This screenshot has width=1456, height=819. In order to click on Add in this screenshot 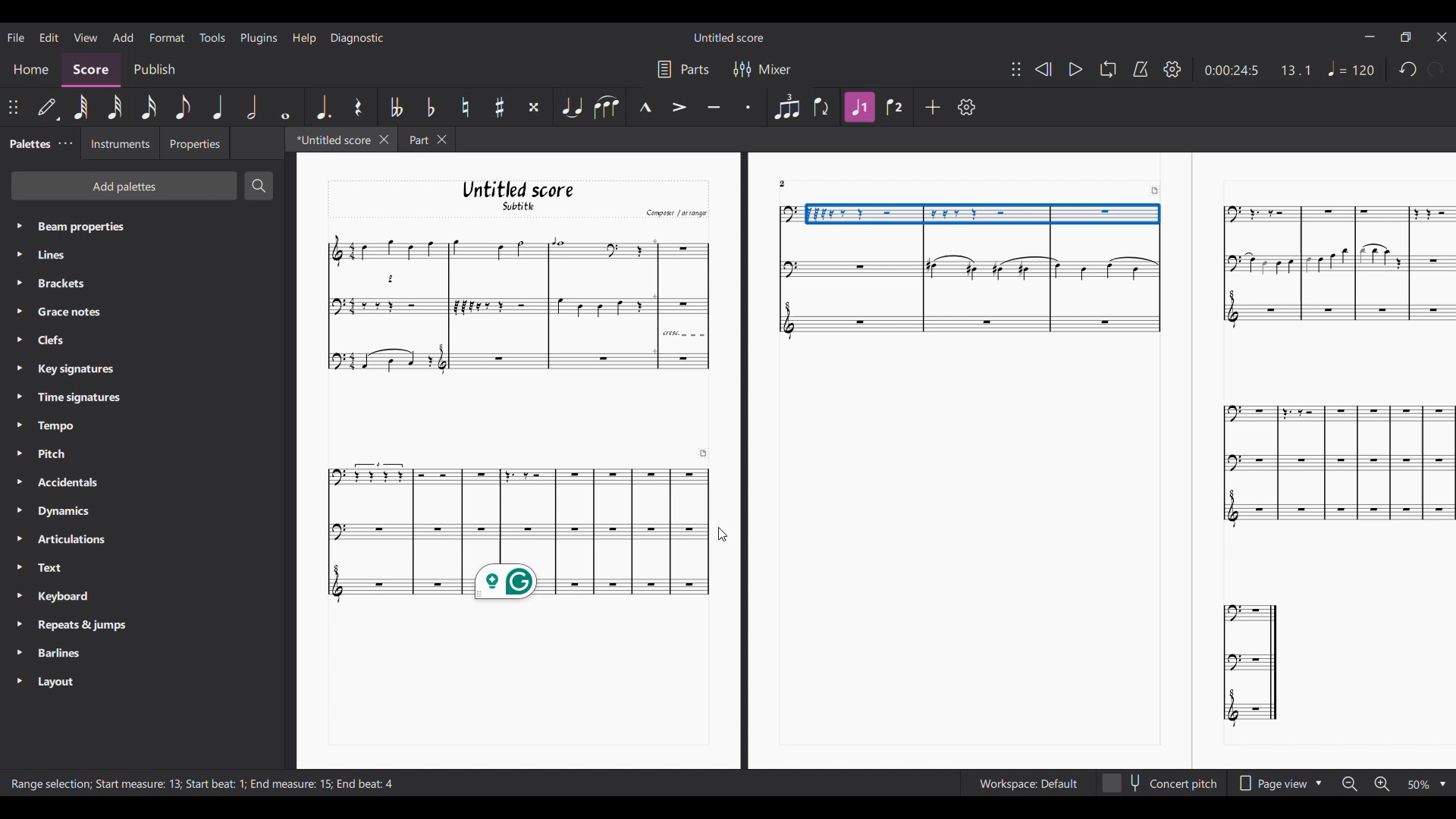, I will do `click(934, 107)`.